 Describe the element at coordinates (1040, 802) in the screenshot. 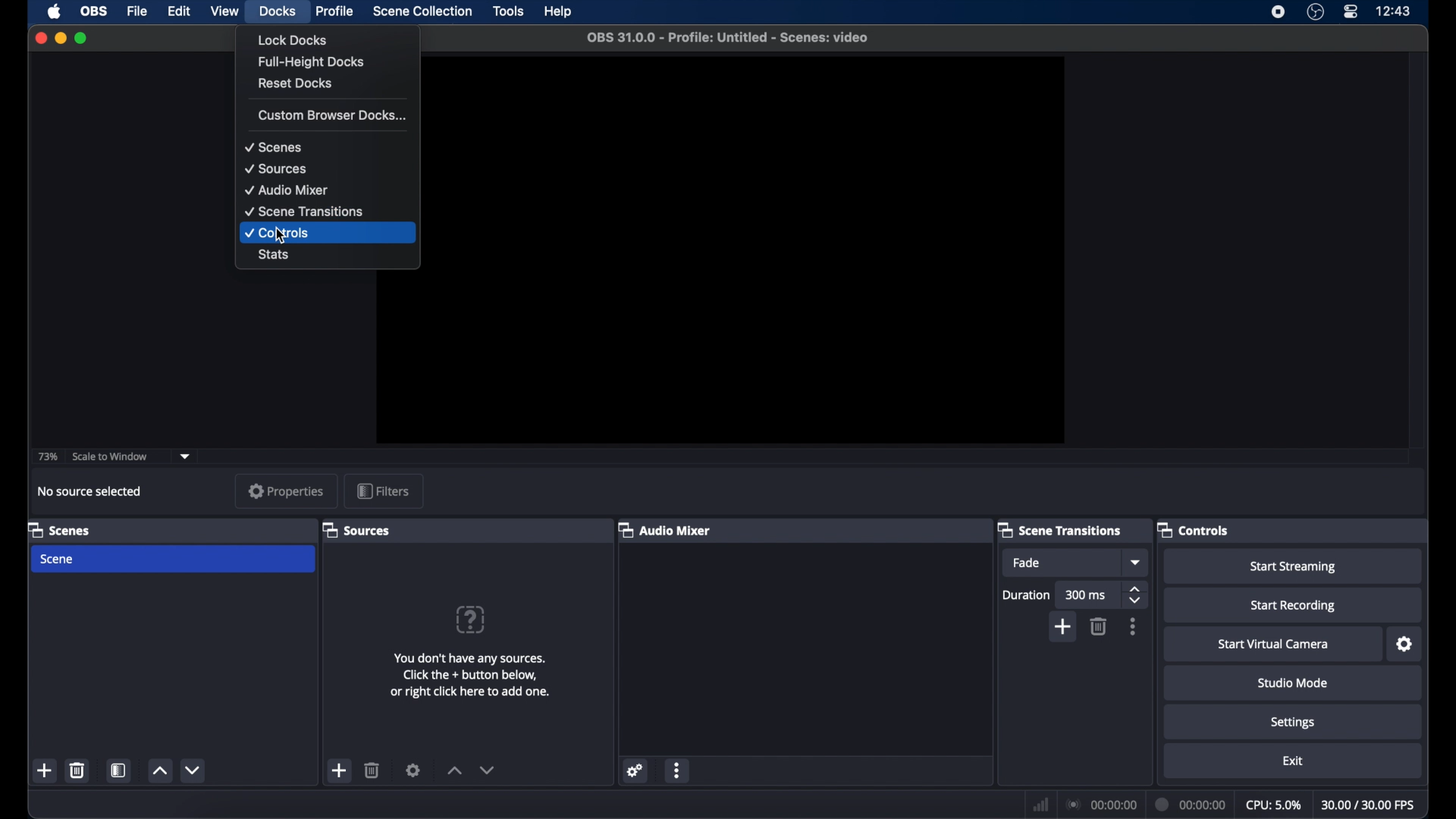

I see `network` at that location.